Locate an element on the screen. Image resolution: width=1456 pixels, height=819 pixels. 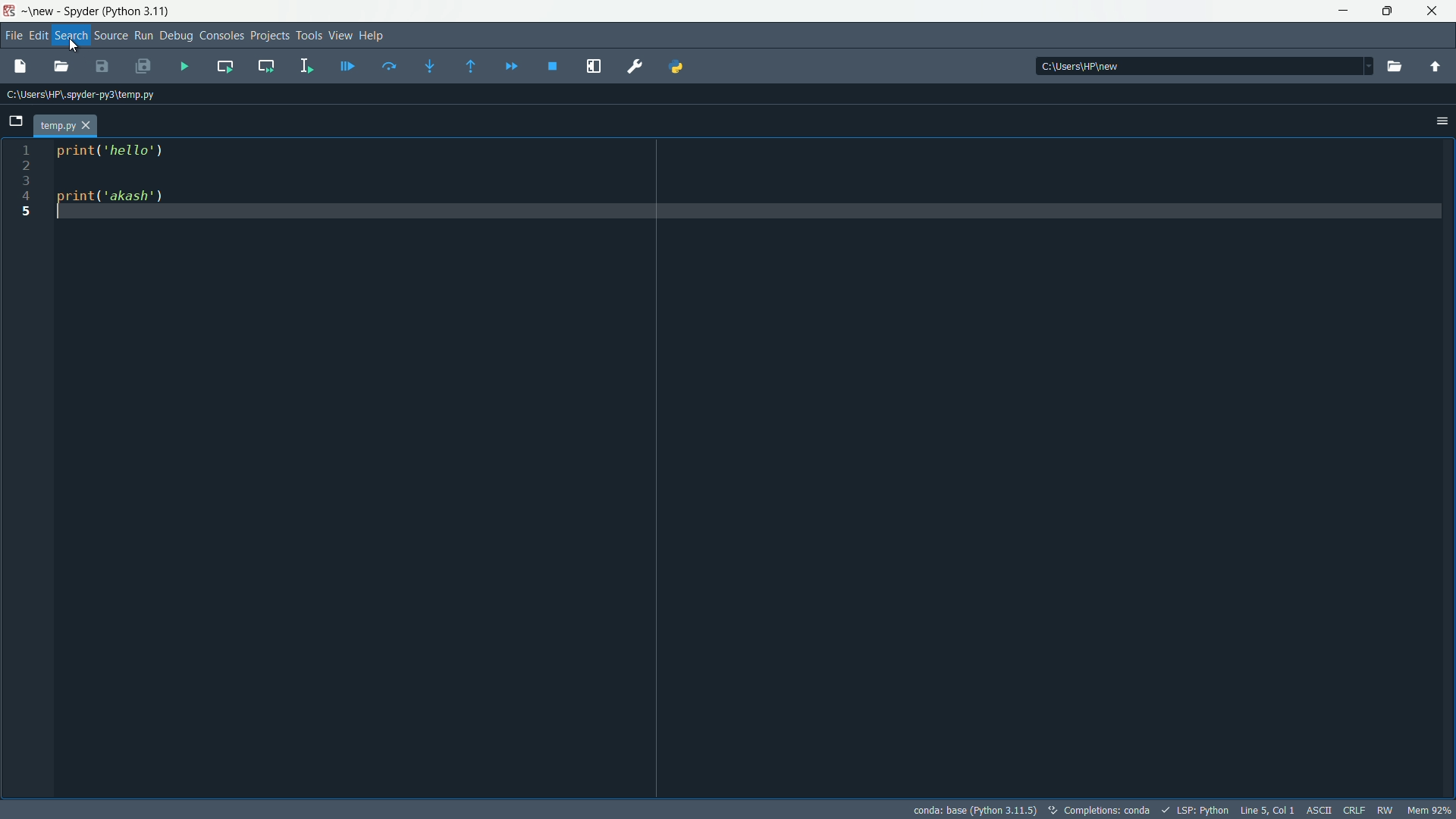
run selection is located at coordinates (303, 65).